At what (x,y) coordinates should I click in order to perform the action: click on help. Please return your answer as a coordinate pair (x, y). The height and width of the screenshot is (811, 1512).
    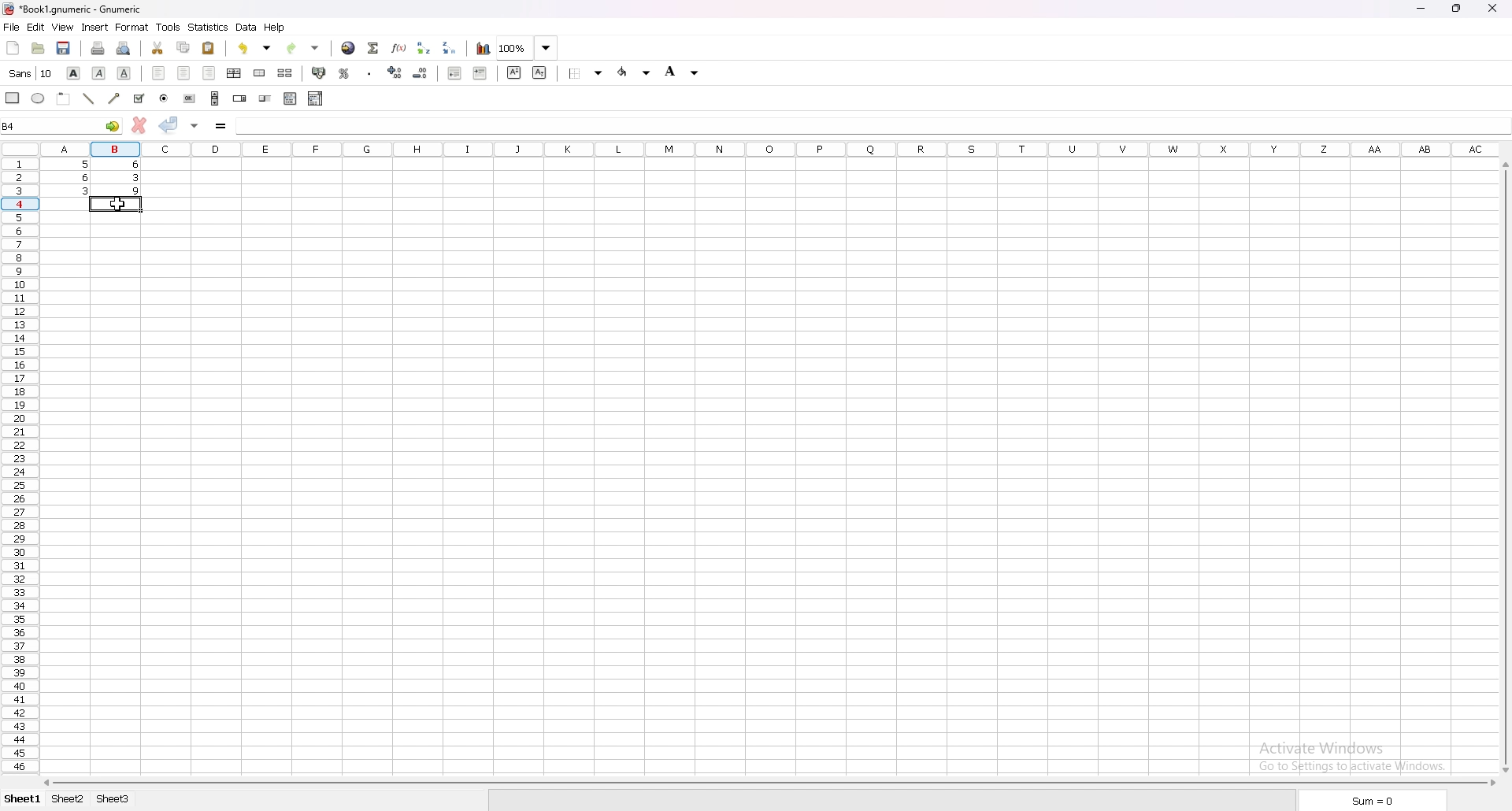
    Looking at the image, I should click on (275, 28).